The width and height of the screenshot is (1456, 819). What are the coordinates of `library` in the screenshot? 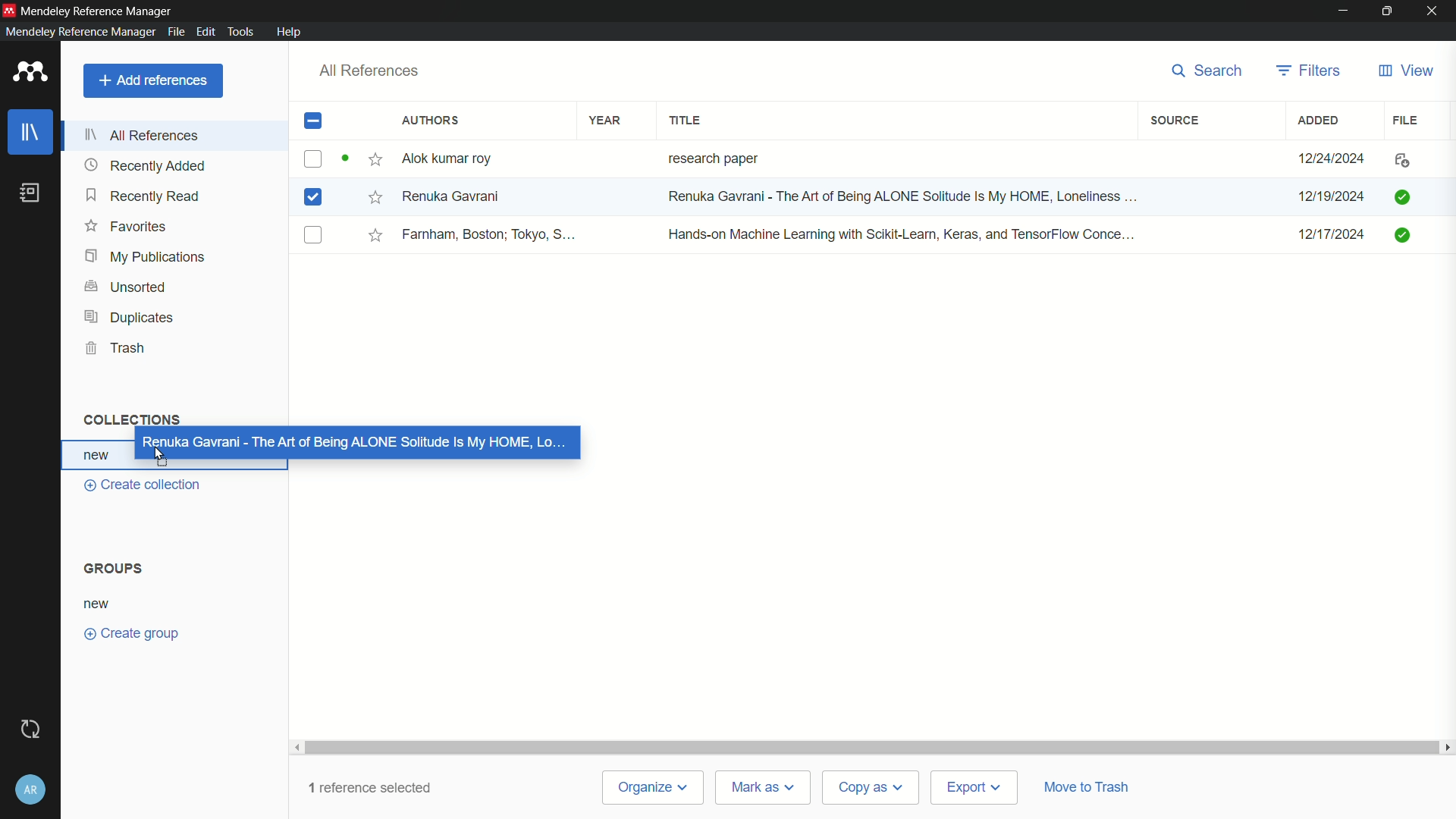 It's located at (32, 134).